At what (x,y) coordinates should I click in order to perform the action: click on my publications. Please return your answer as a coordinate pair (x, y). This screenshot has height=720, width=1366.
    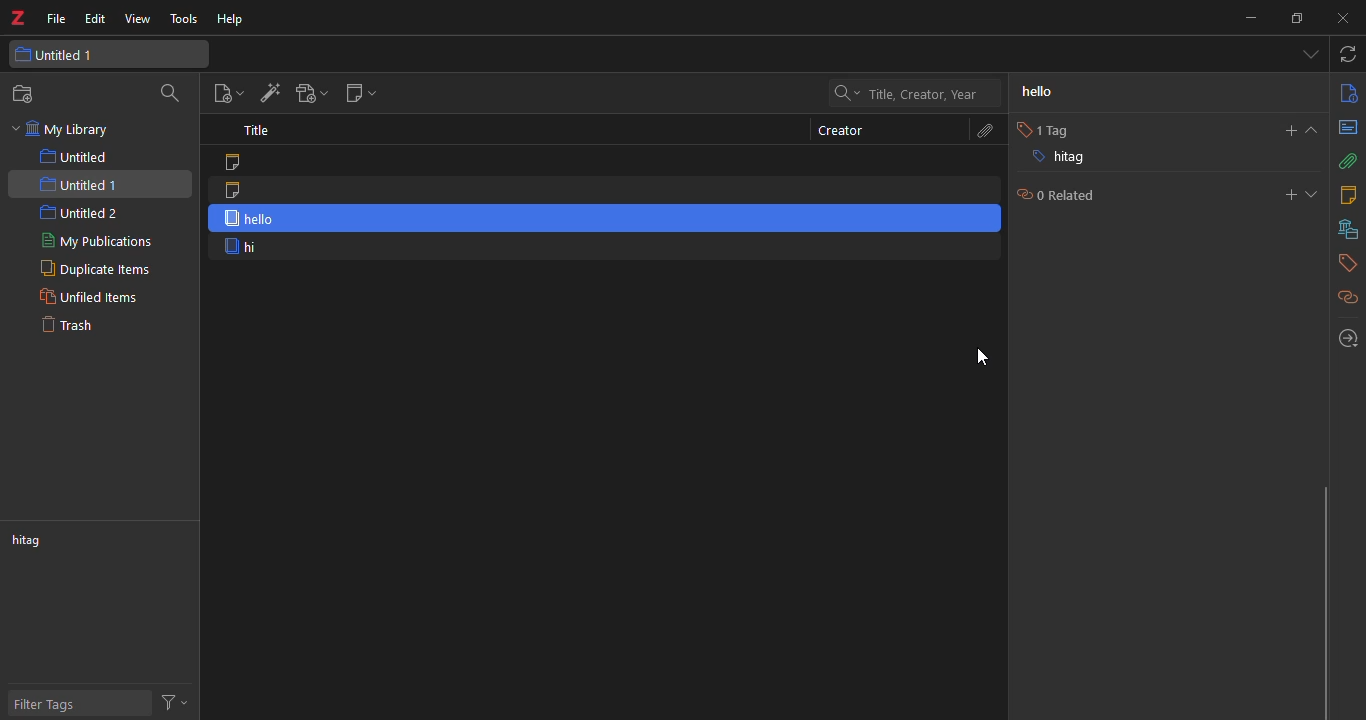
    Looking at the image, I should click on (92, 242).